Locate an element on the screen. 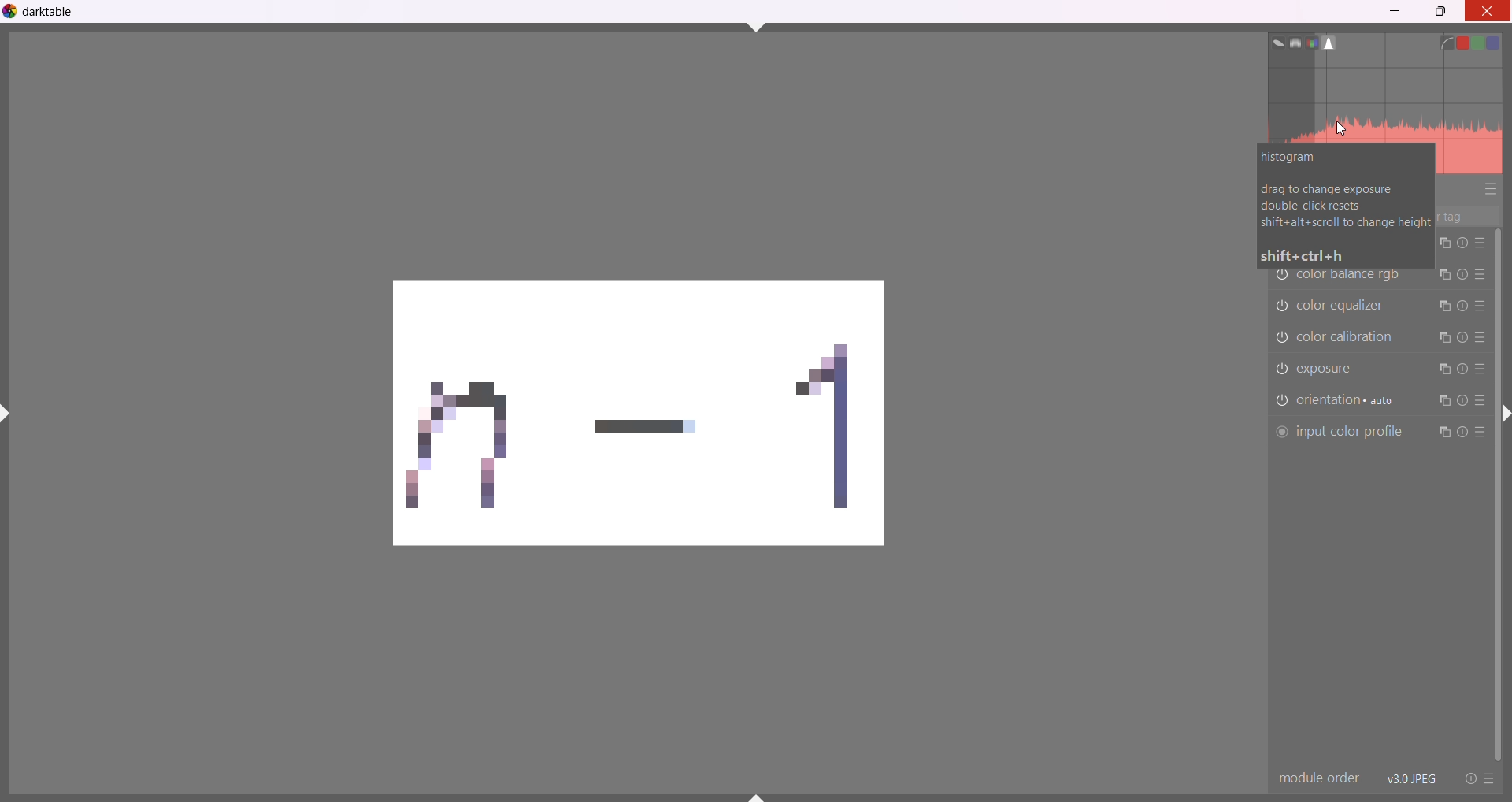  presets is located at coordinates (1491, 190).